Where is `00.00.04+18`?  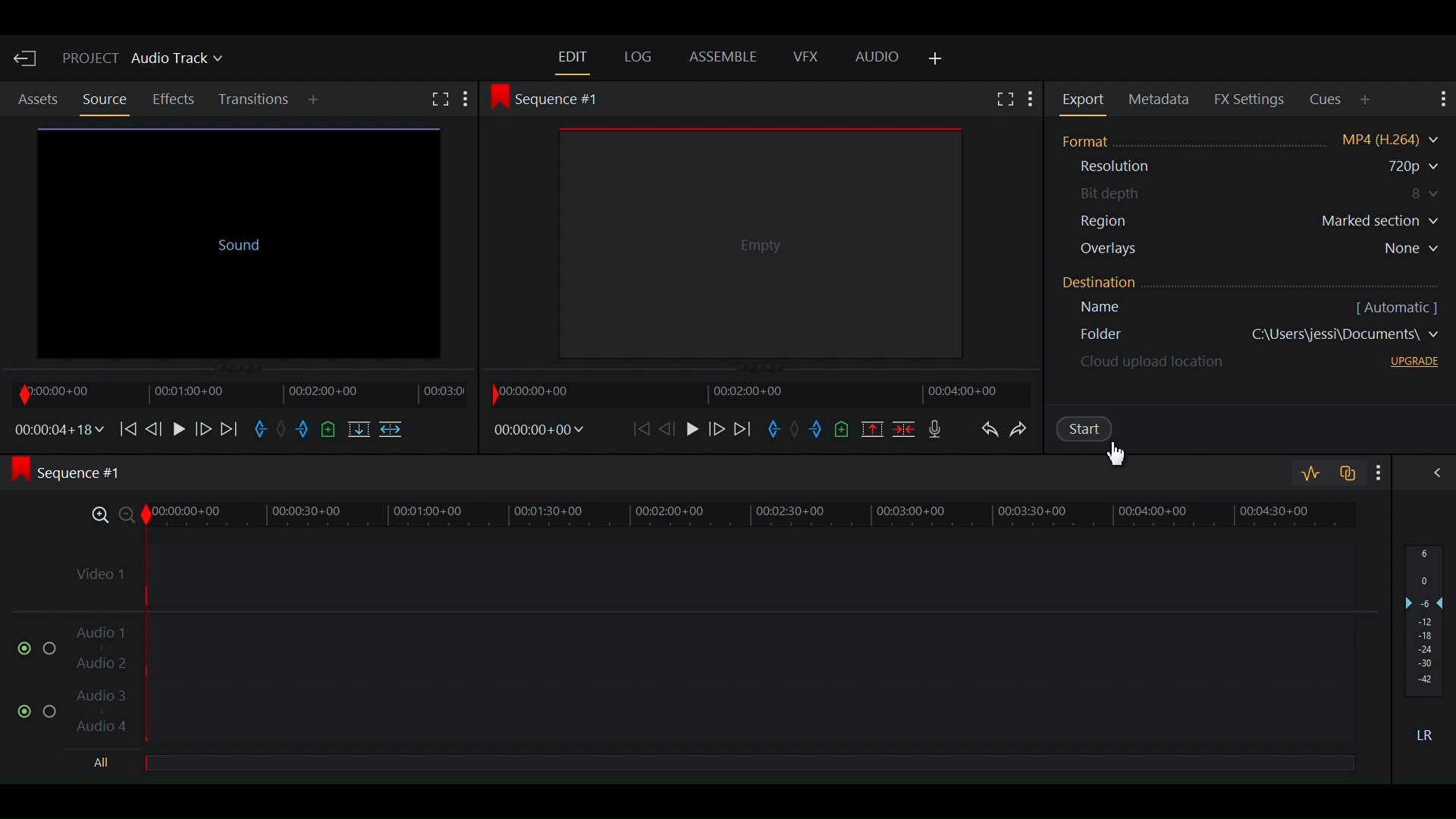 00.00.04+18 is located at coordinates (55, 429).